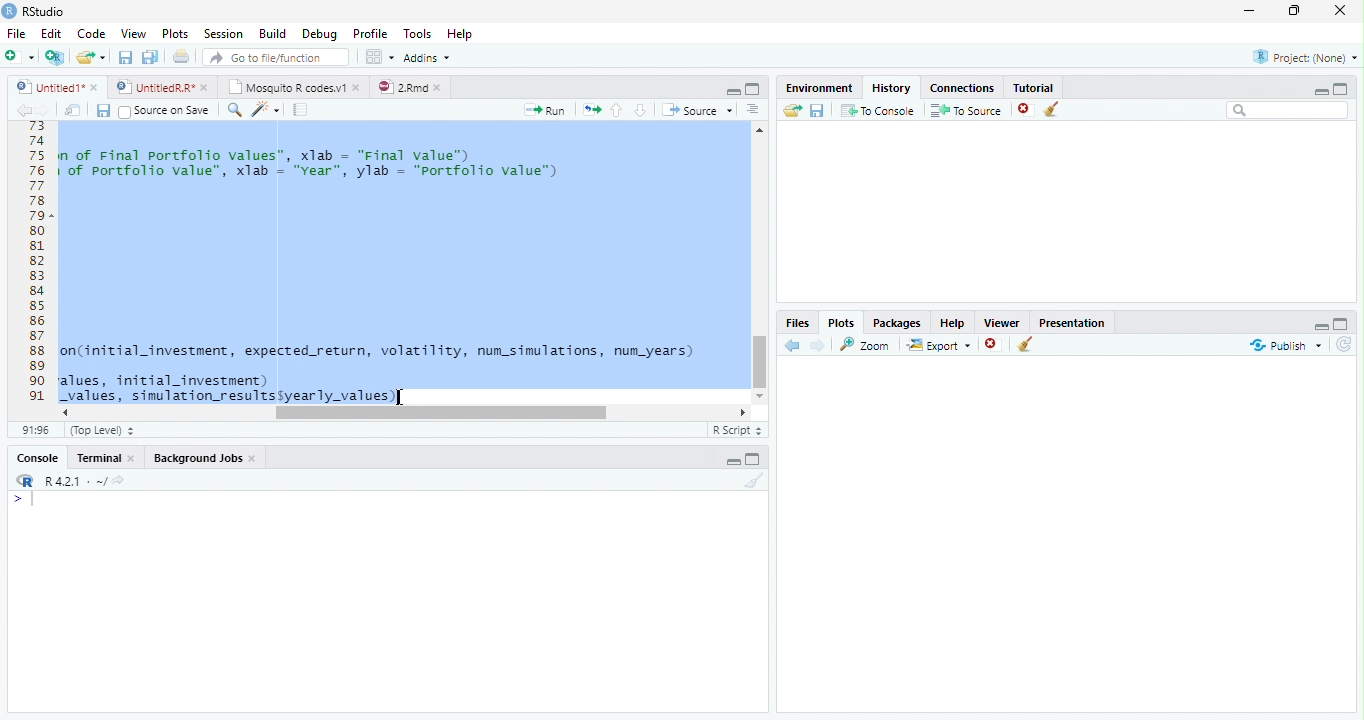 Image resolution: width=1364 pixels, height=720 pixels. What do you see at coordinates (1027, 109) in the screenshot?
I see `Remove Selected` at bounding box center [1027, 109].